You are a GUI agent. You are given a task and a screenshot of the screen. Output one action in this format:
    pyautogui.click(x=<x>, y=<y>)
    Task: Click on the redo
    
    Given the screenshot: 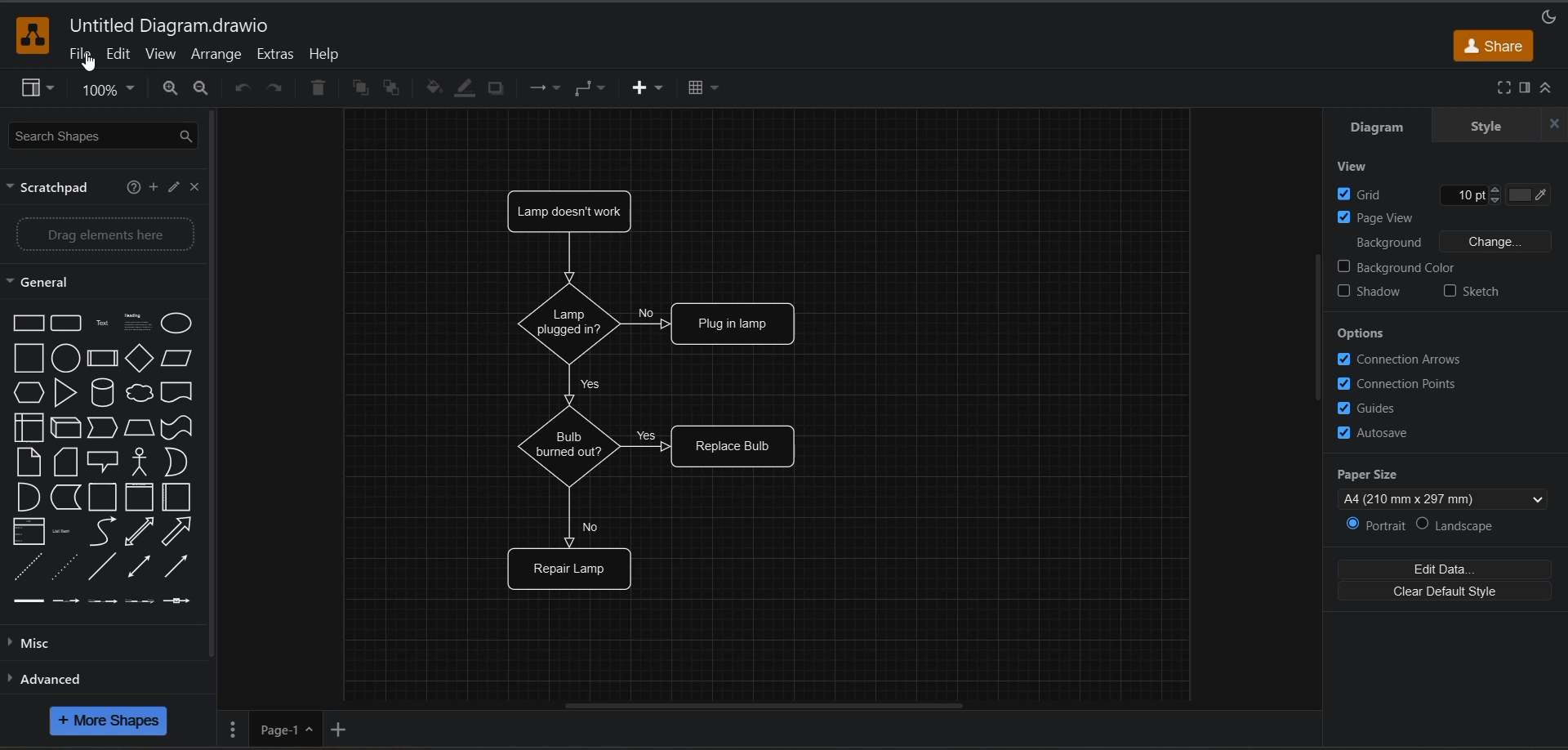 What is the action you would take?
    pyautogui.click(x=278, y=88)
    